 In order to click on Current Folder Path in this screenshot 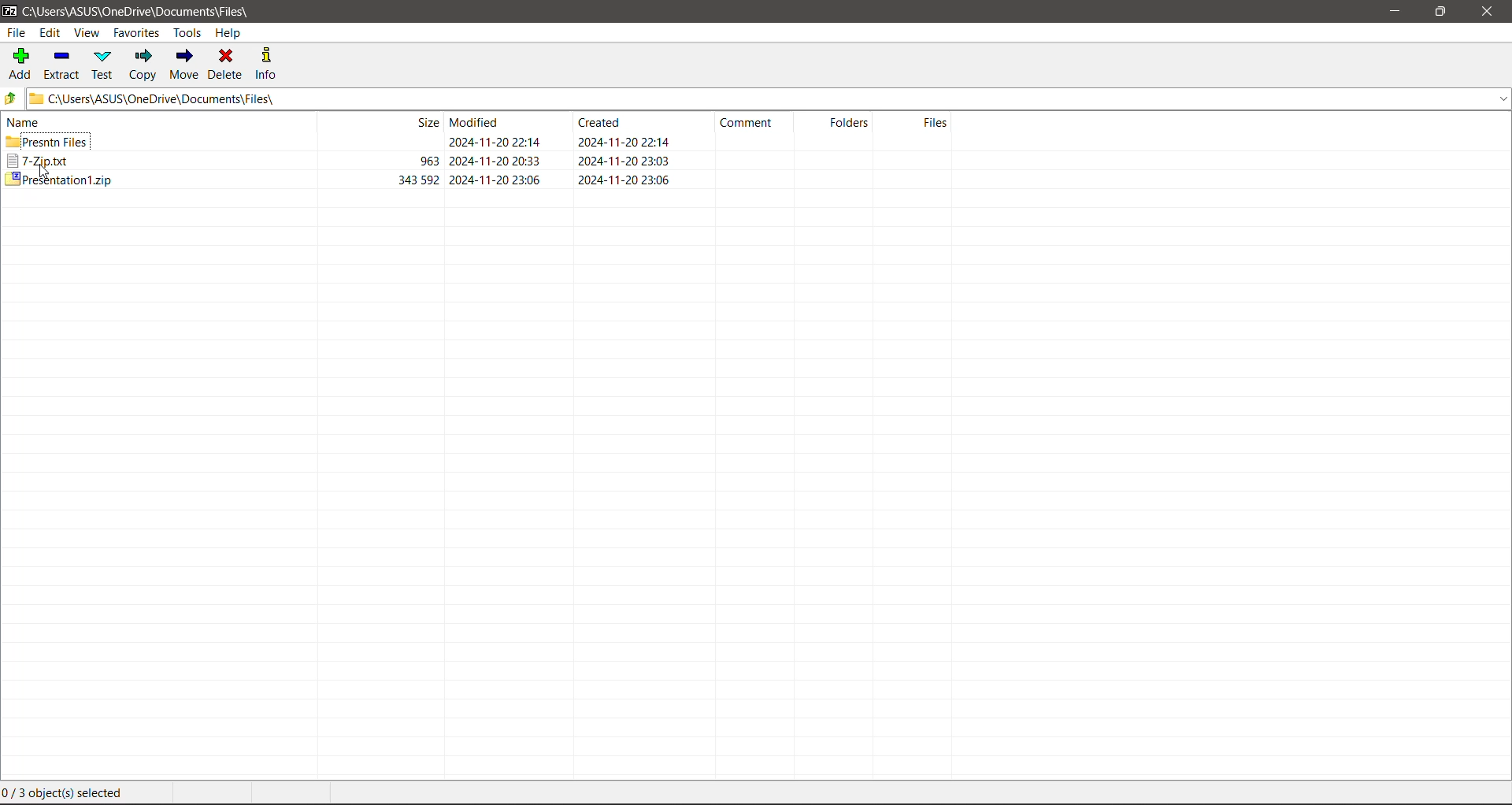, I will do `click(143, 9)`.